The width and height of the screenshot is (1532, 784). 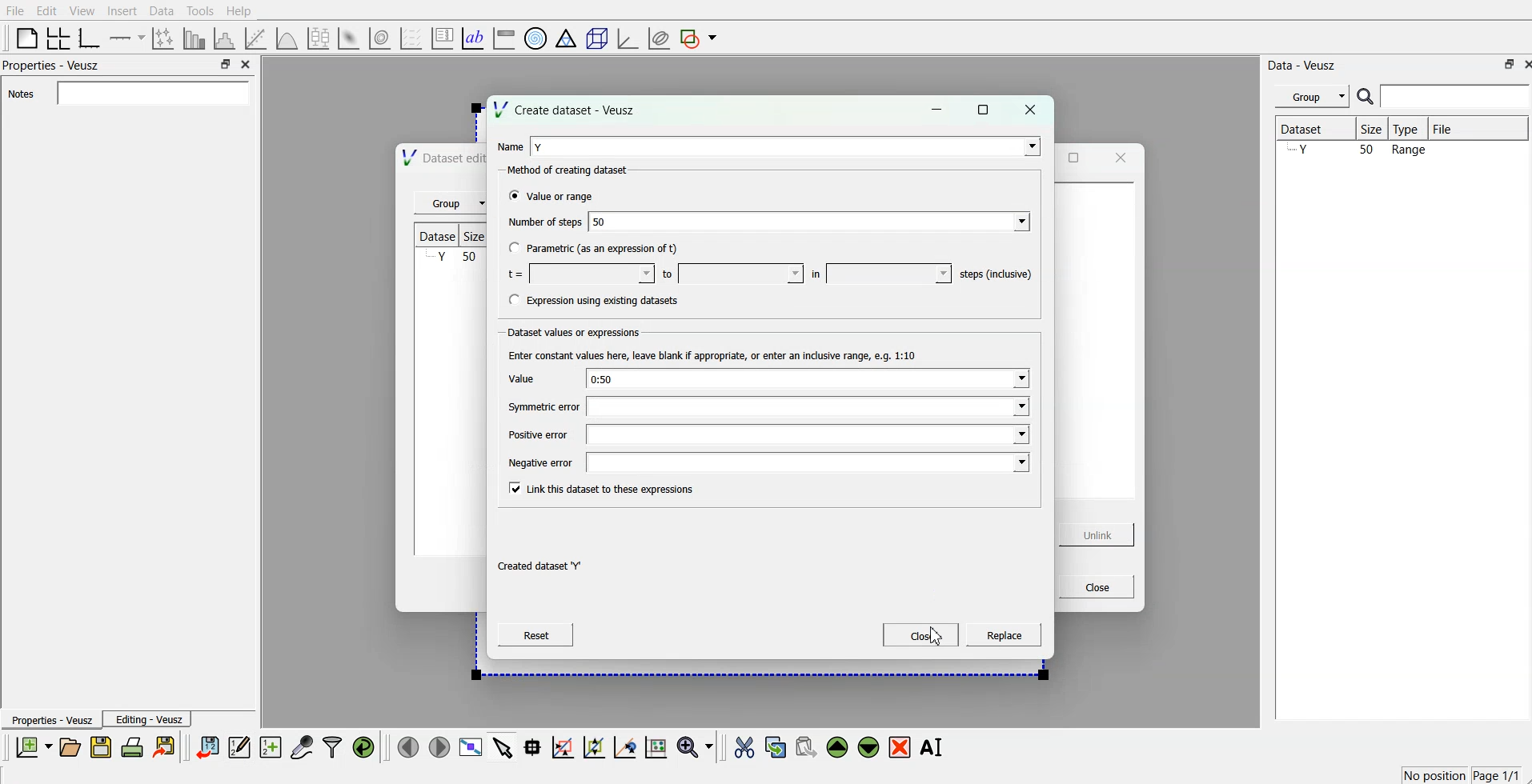 I want to click on Close, so click(x=920, y=636).